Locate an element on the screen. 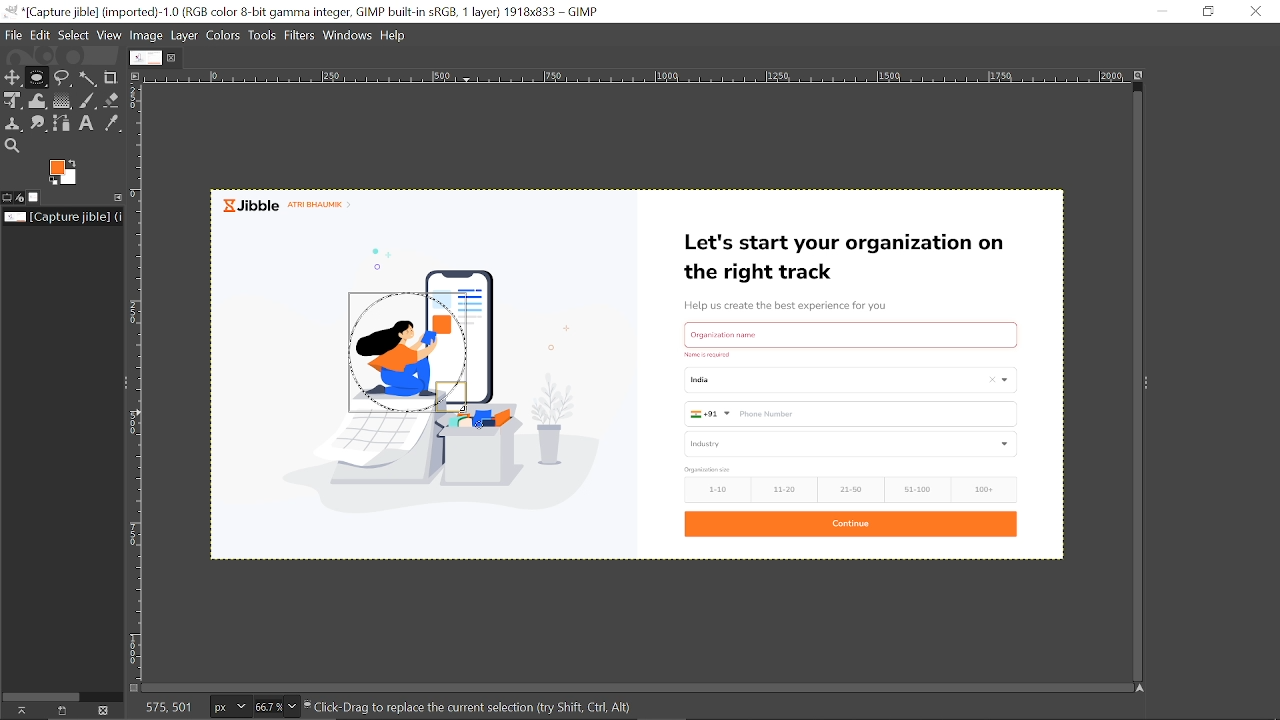  Pixels is located at coordinates (227, 708).